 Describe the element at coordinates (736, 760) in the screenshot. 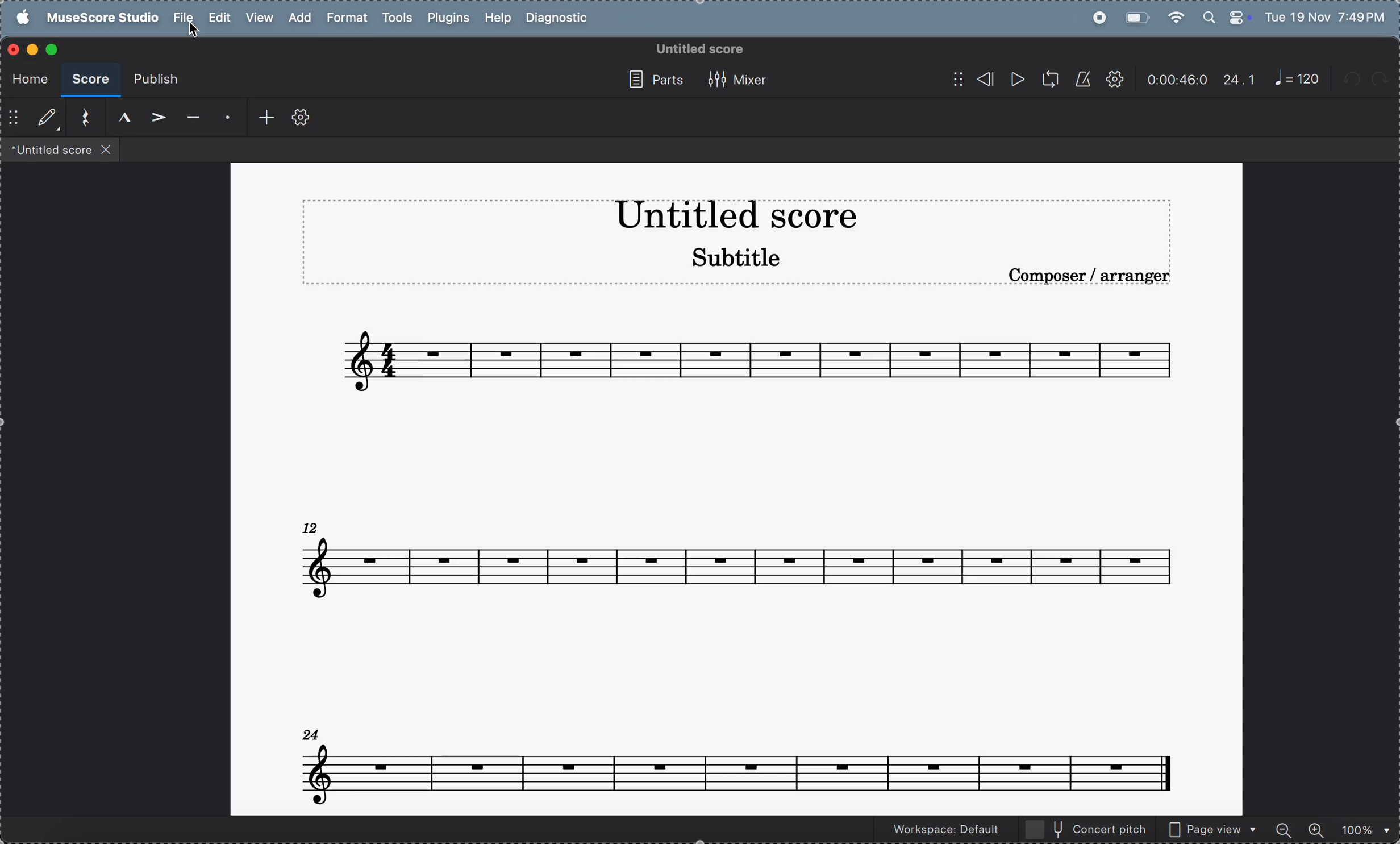

I see `notes` at that location.